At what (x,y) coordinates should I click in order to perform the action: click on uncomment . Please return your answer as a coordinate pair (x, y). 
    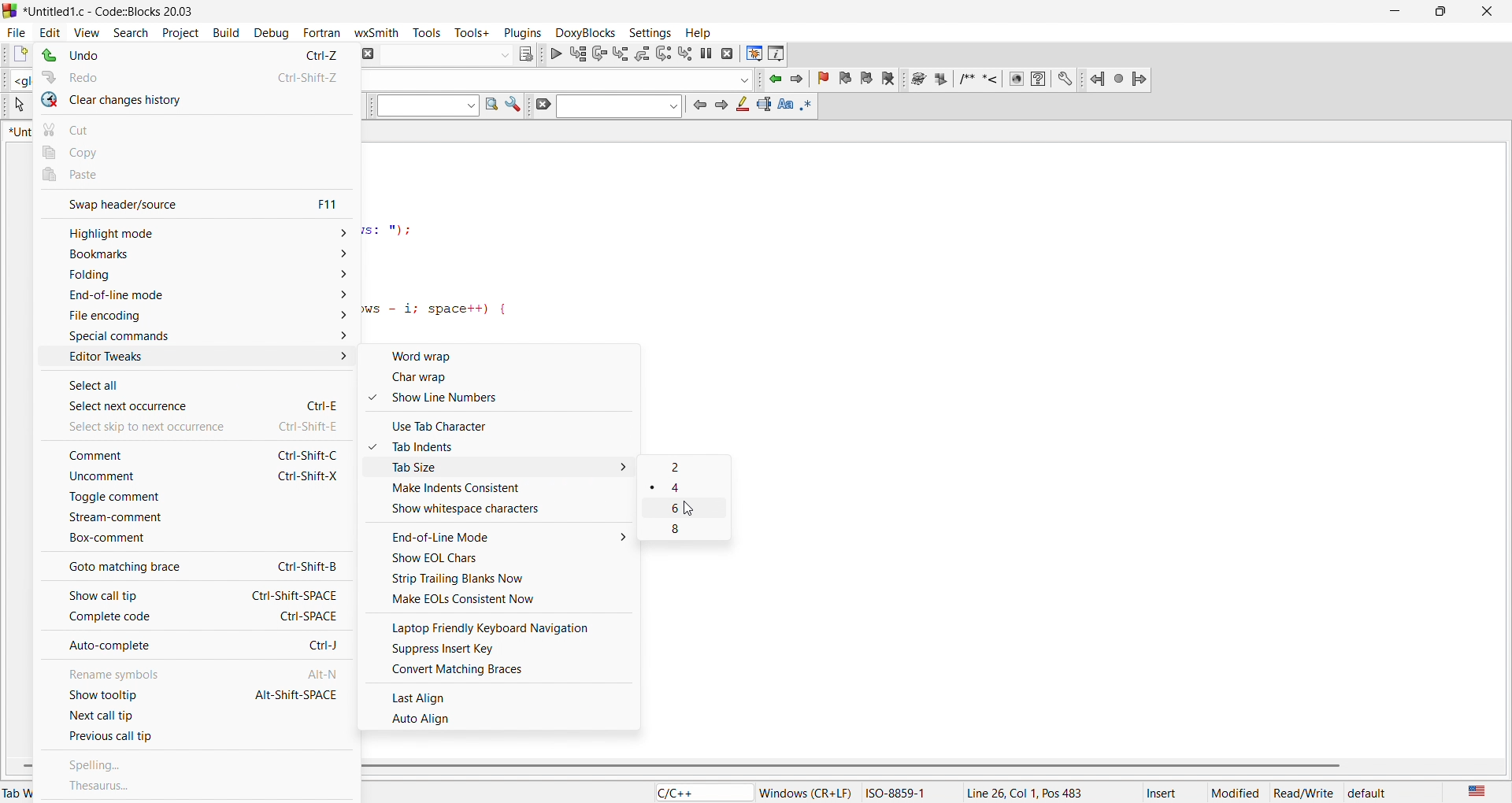
    Looking at the image, I should click on (132, 479).